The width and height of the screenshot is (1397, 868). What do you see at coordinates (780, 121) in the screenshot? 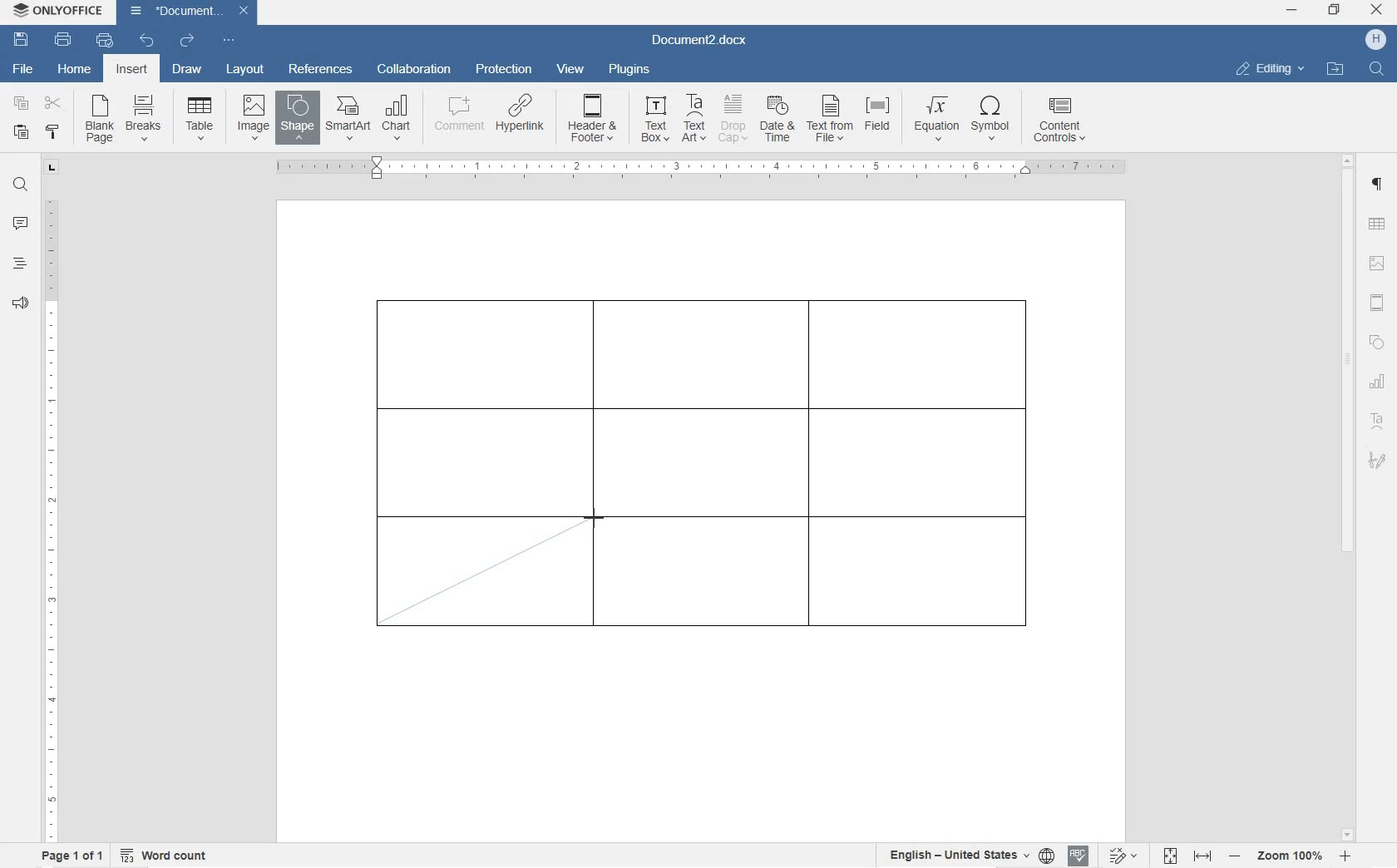
I see `DATE & TIME` at bounding box center [780, 121].